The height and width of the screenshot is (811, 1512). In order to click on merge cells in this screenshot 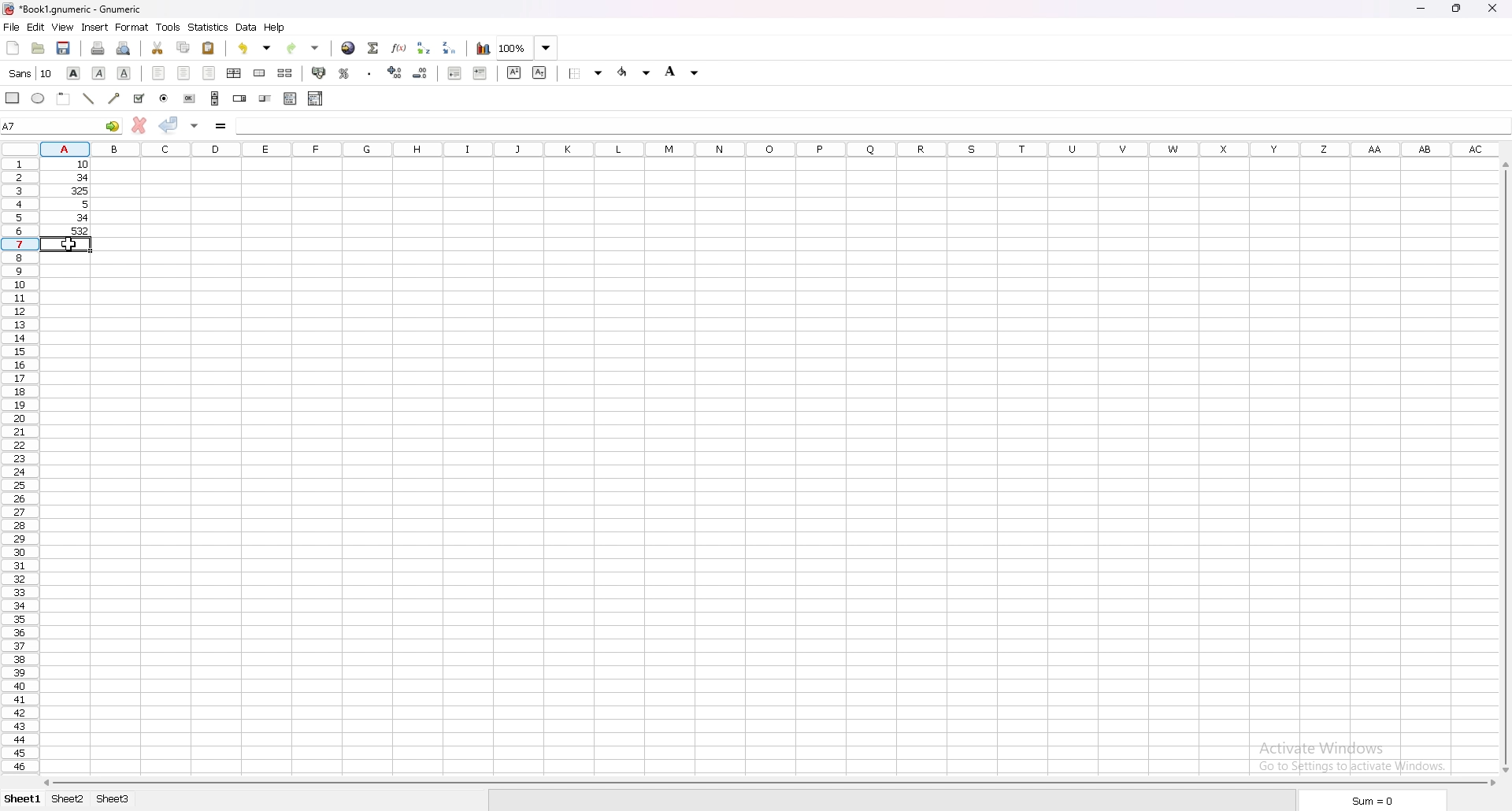, I will do `click(260, 74)`.